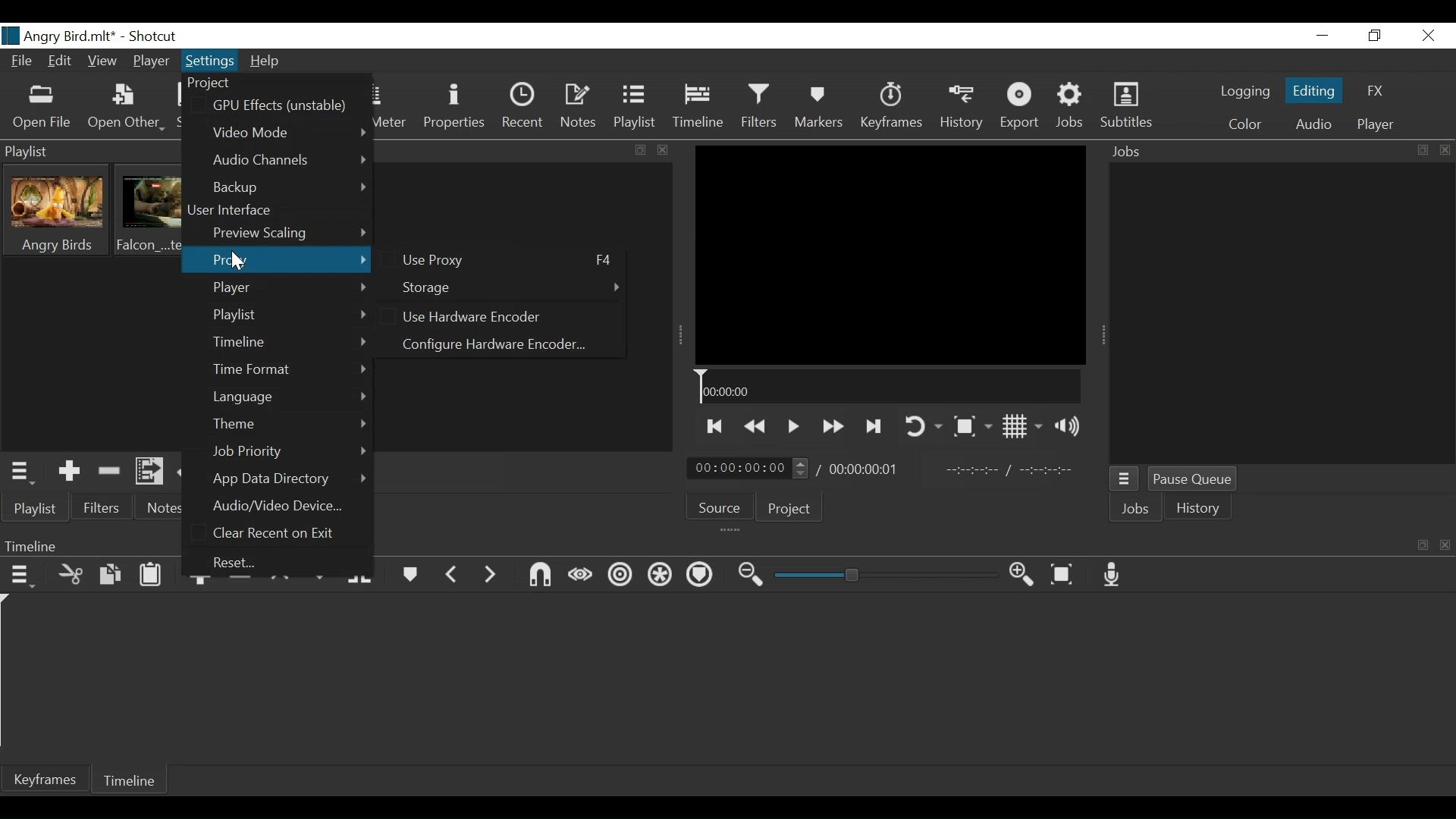 The width and height of the screenshot is (1456, 819). I want to click on lift, so click(279, 582).